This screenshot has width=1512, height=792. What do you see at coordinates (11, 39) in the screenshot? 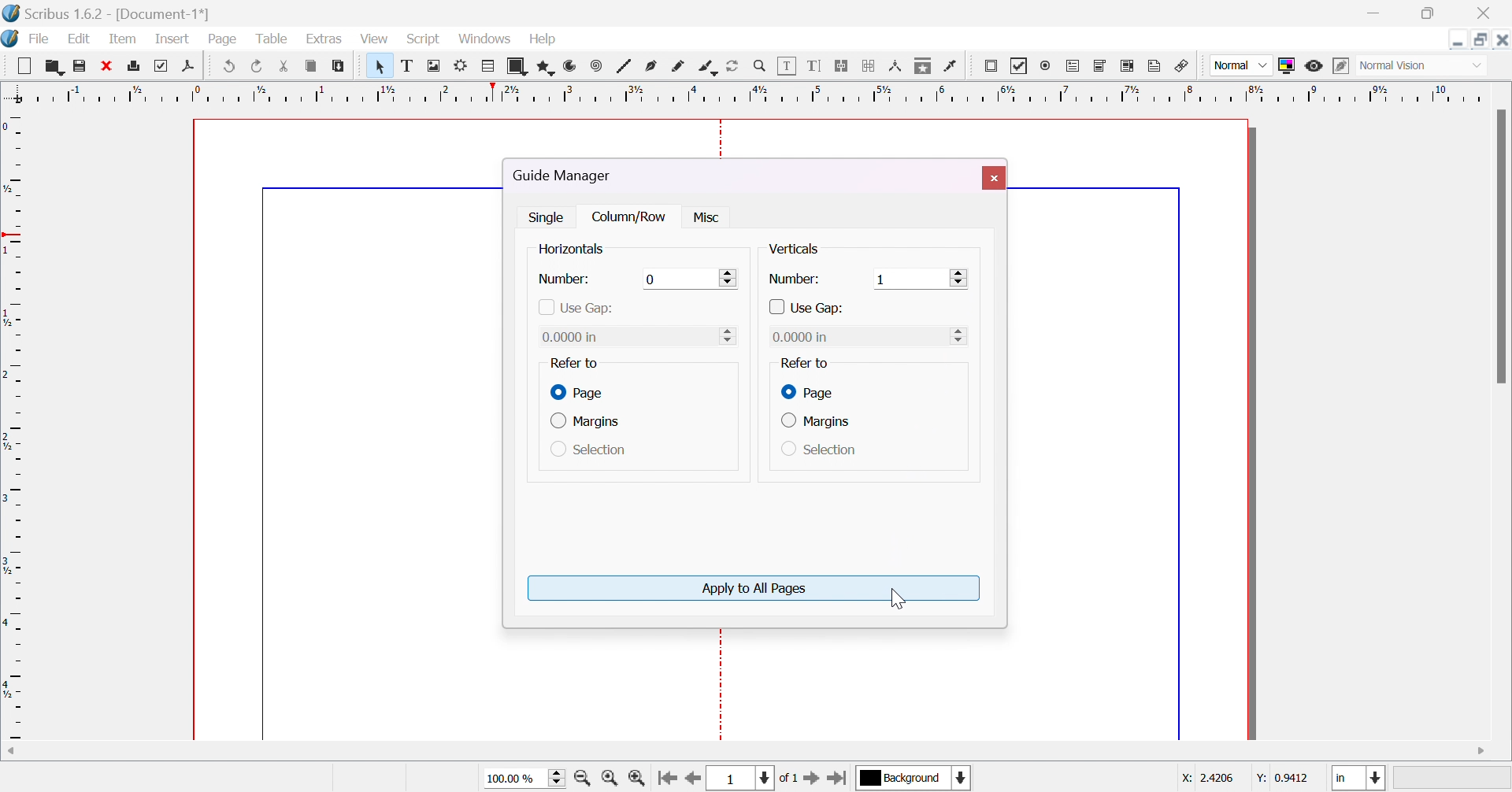
I see `Icon` at bounding box center [11, 39].